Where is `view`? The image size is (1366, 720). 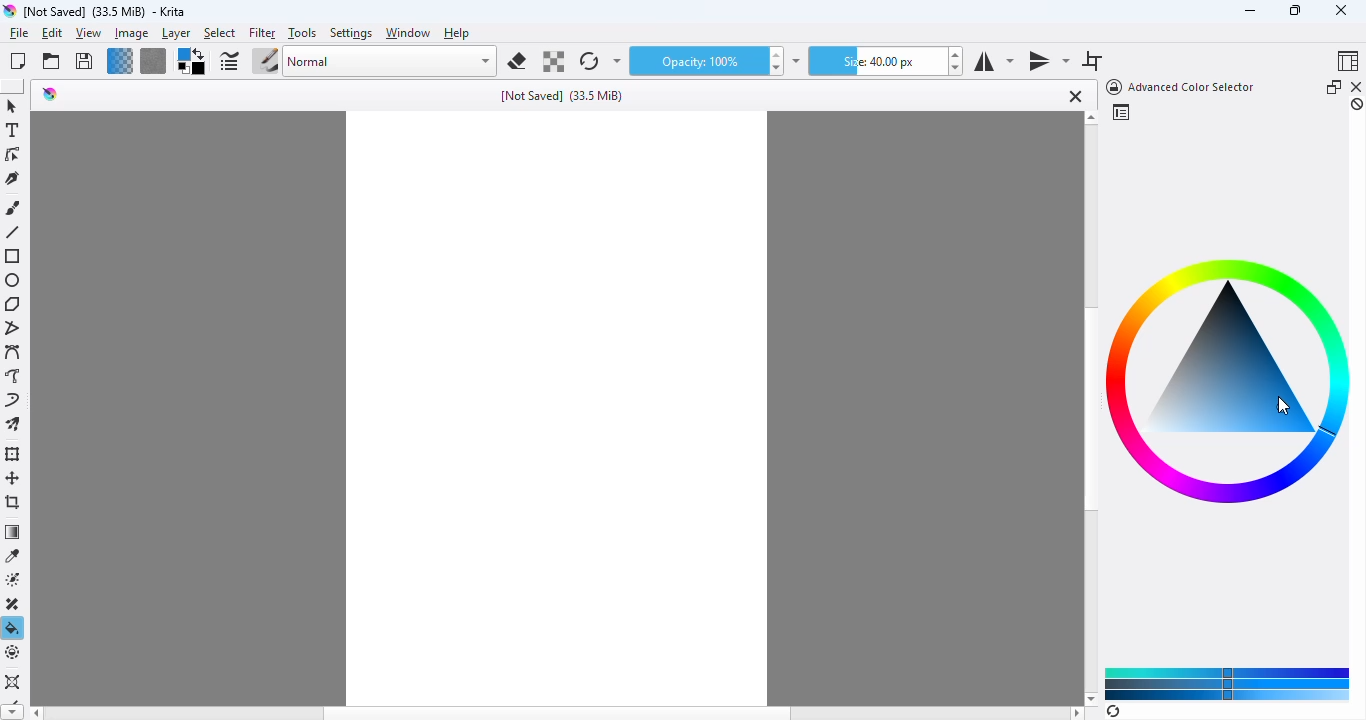 view is located at coordinates (89, 34).